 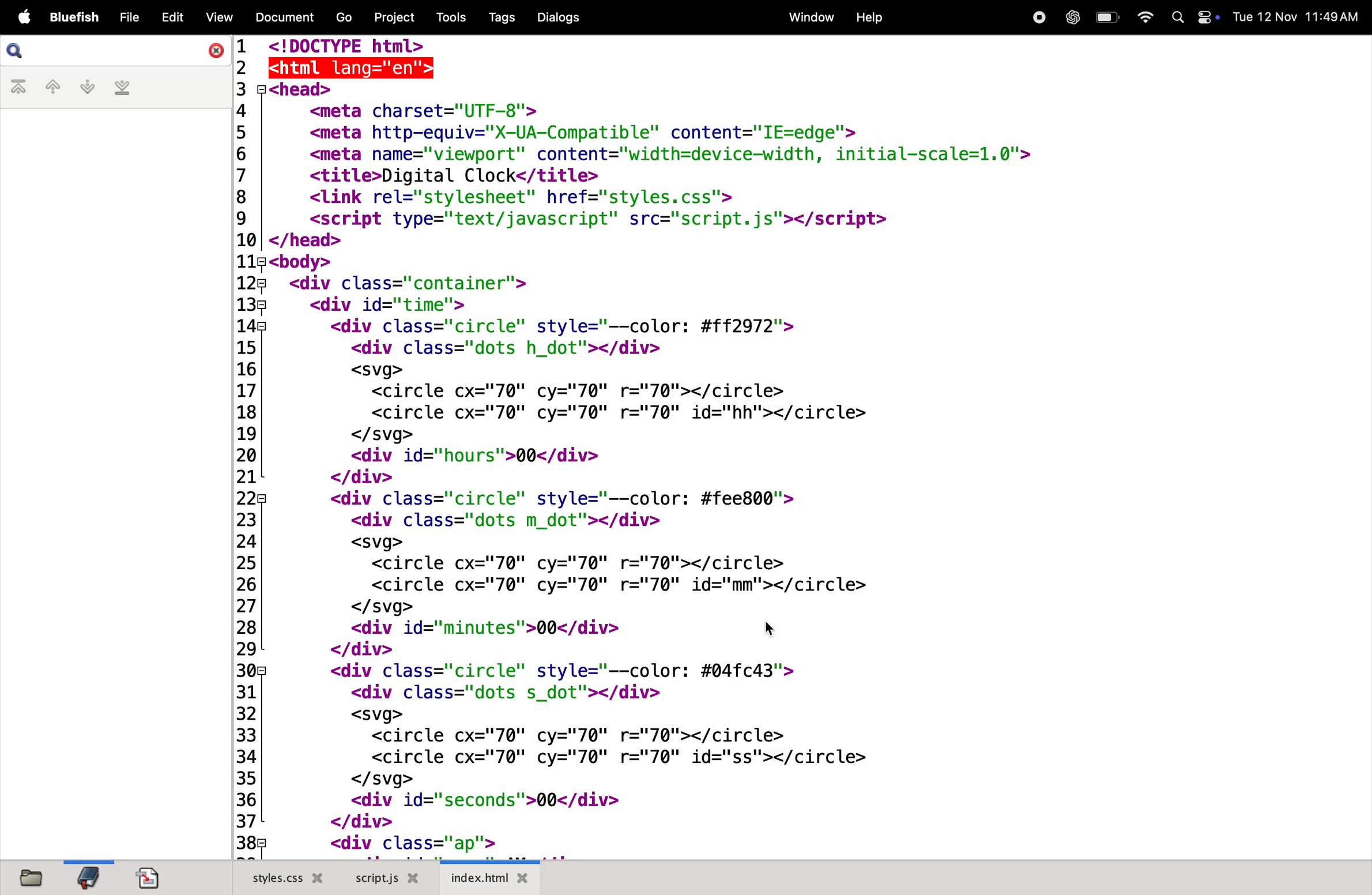 What do you see at coordinates (216, 17) in the screenshot?
I see `view` at bounding box center [216, 17].